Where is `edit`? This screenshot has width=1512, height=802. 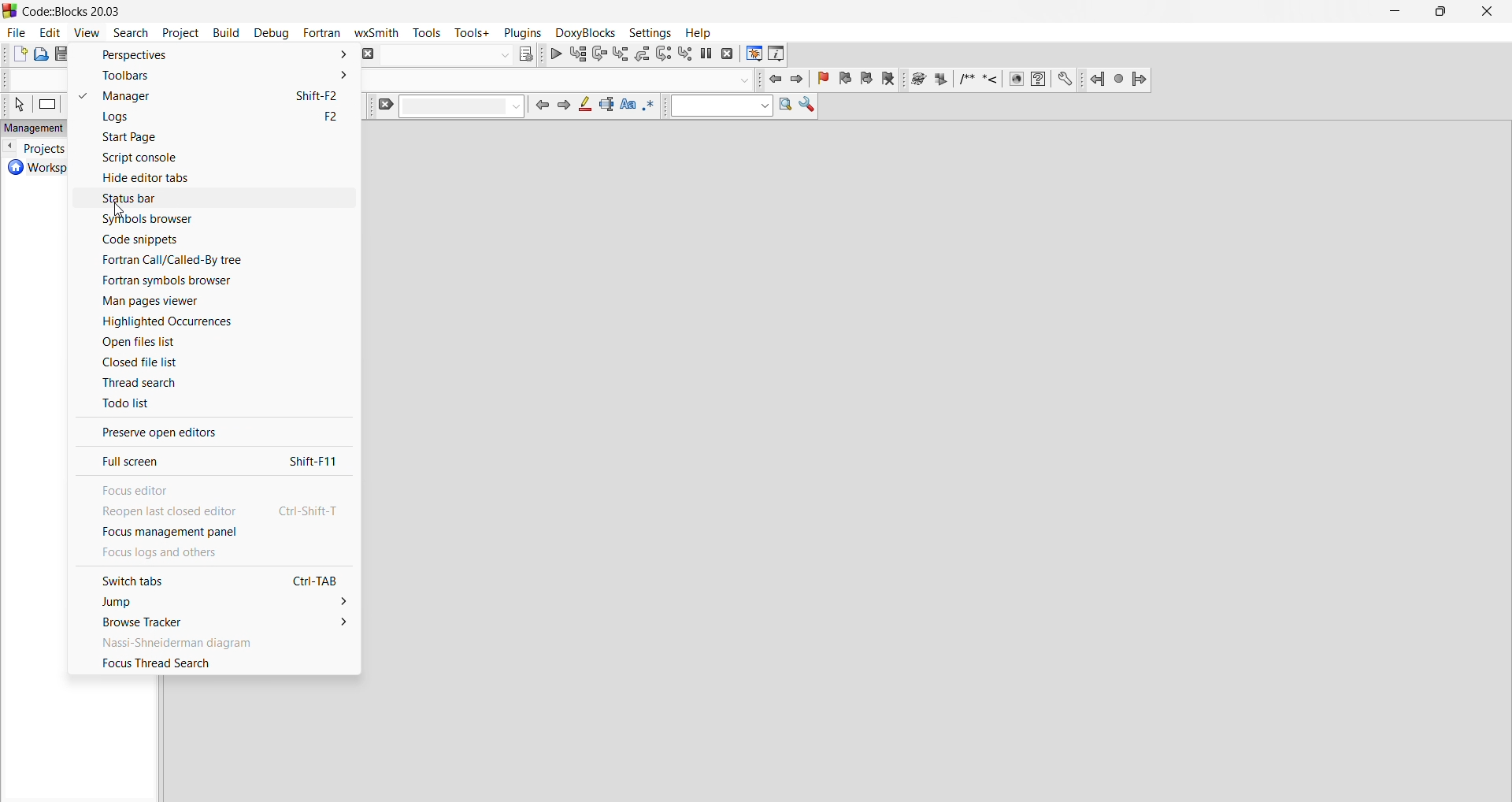 edit is located at coordinates (51, 33).